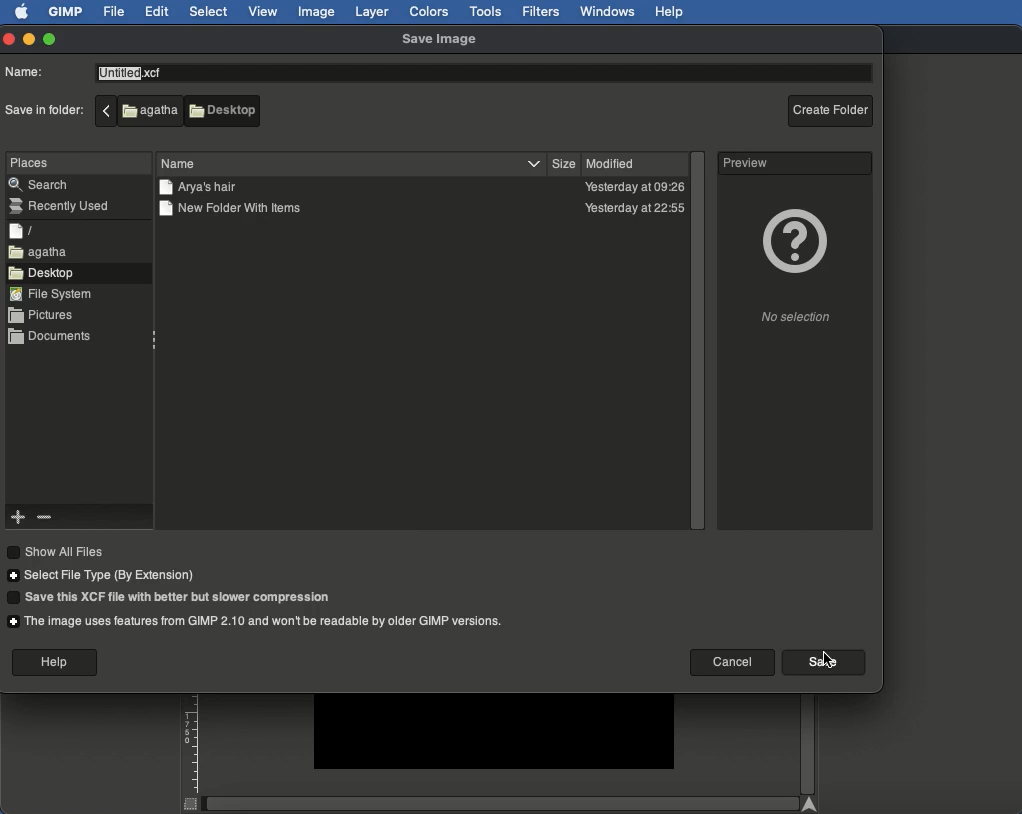 The width and height of the screenshot is (1022, 814). What do you see at coordinates (185, 163) in the screenshot?
I see `Name` at bounding box center [185, 163].